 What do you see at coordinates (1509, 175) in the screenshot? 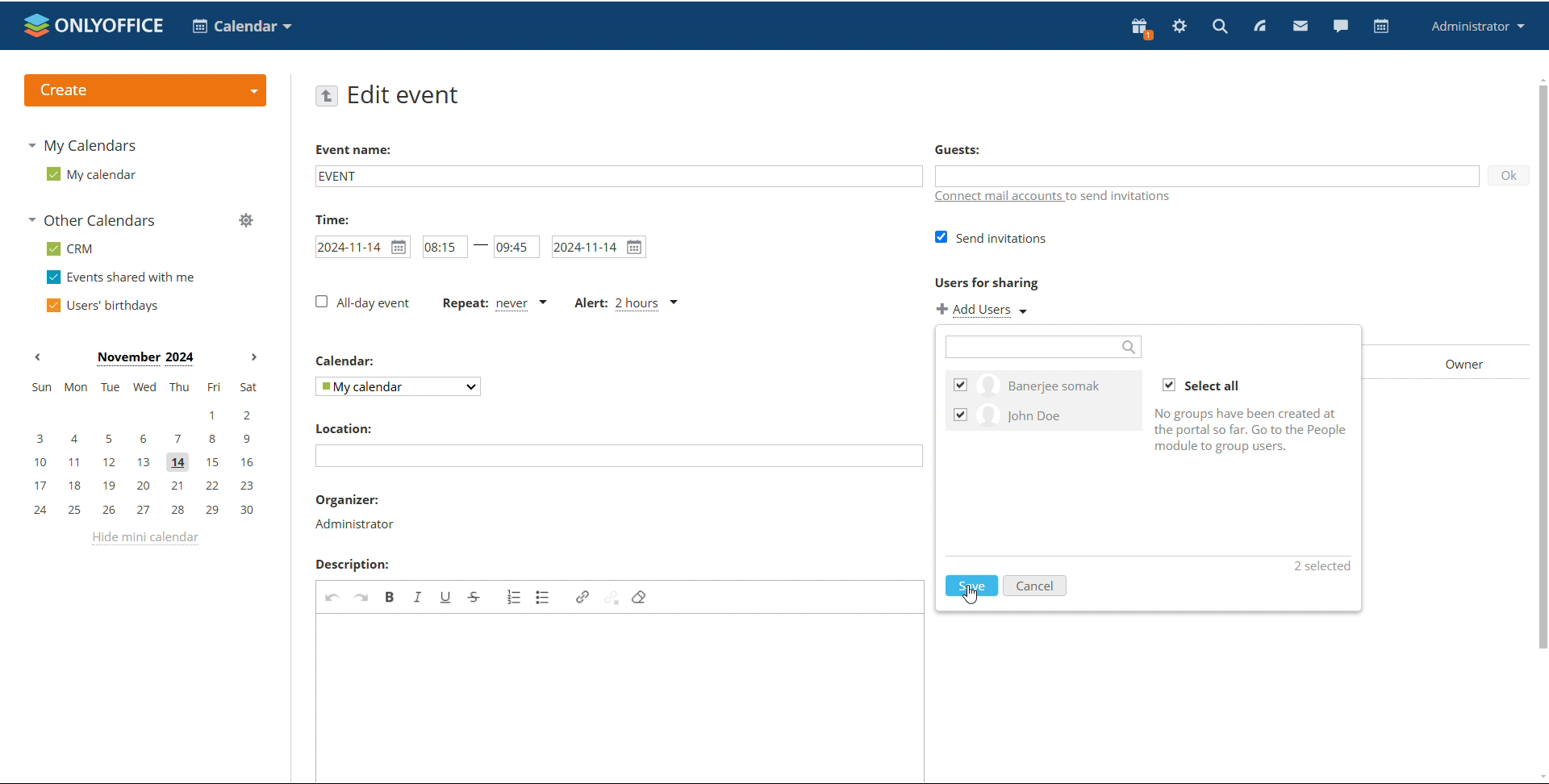
I see `ok` at bounding box center [1509, 175].